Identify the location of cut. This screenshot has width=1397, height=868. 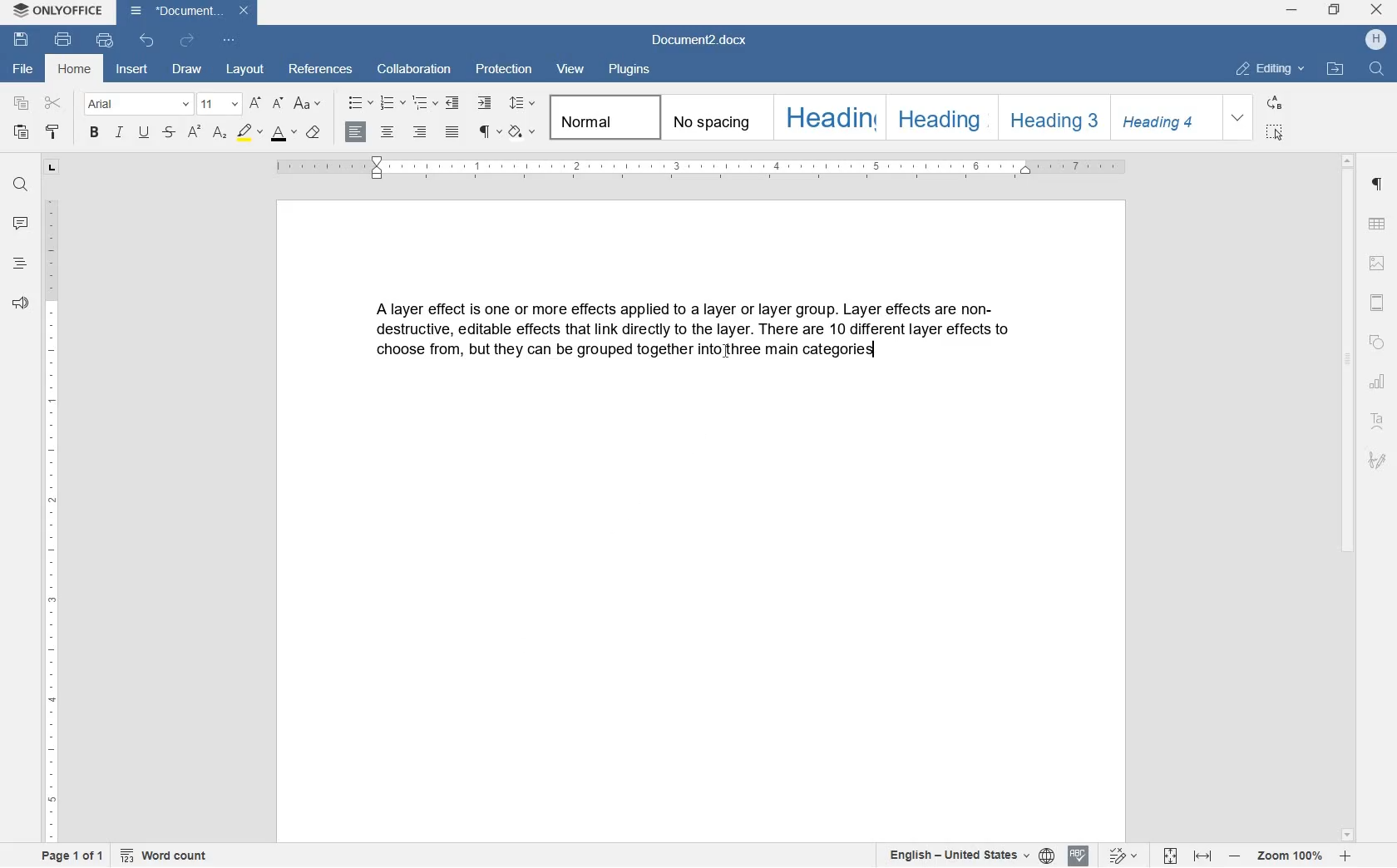
(55, 104).